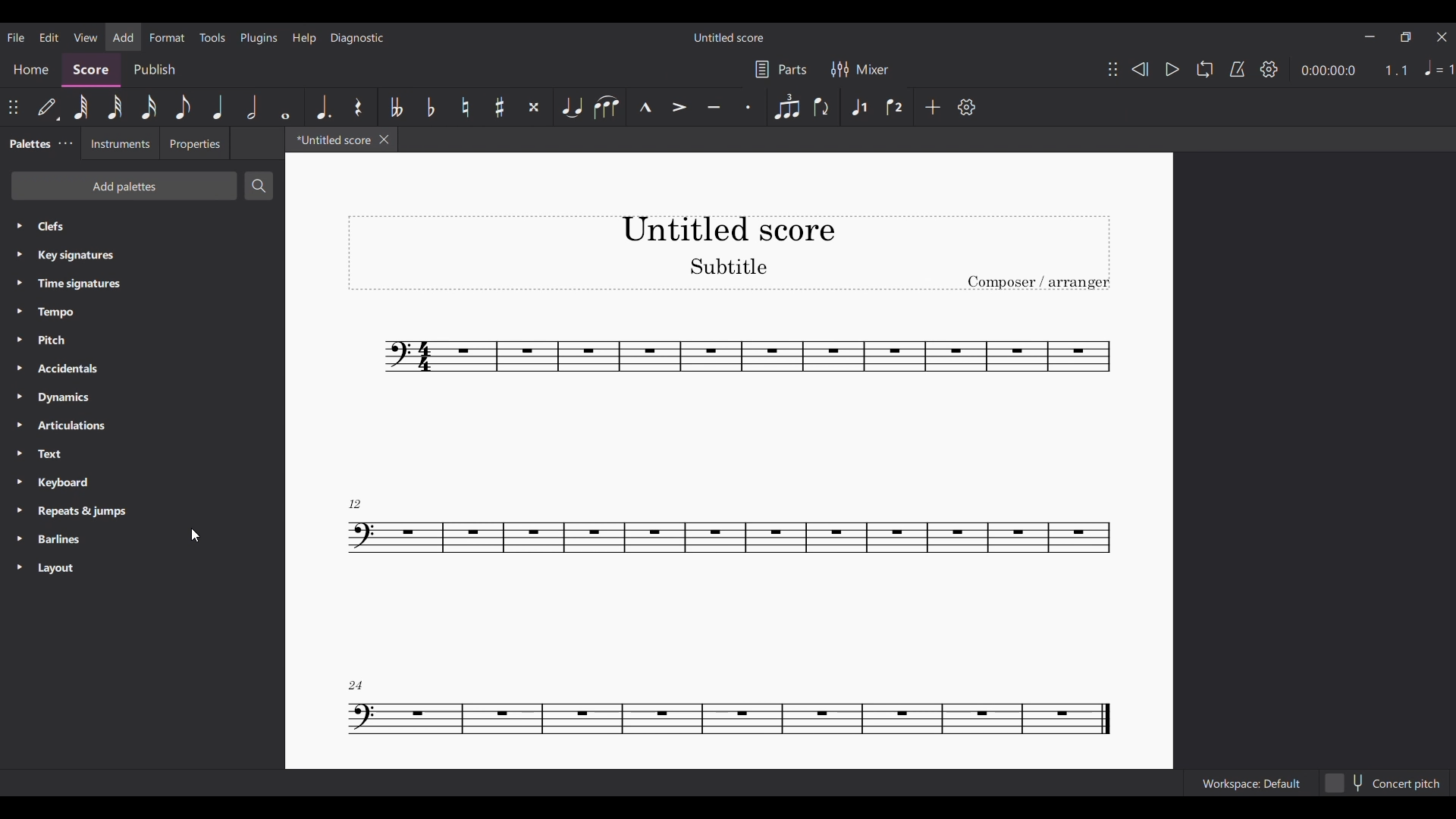 Image resolution: width=1456 pixels, height=819 pixels. Describe the element at coordinates (77, 283) in the screenshot. I see `Time signatures` at that location.